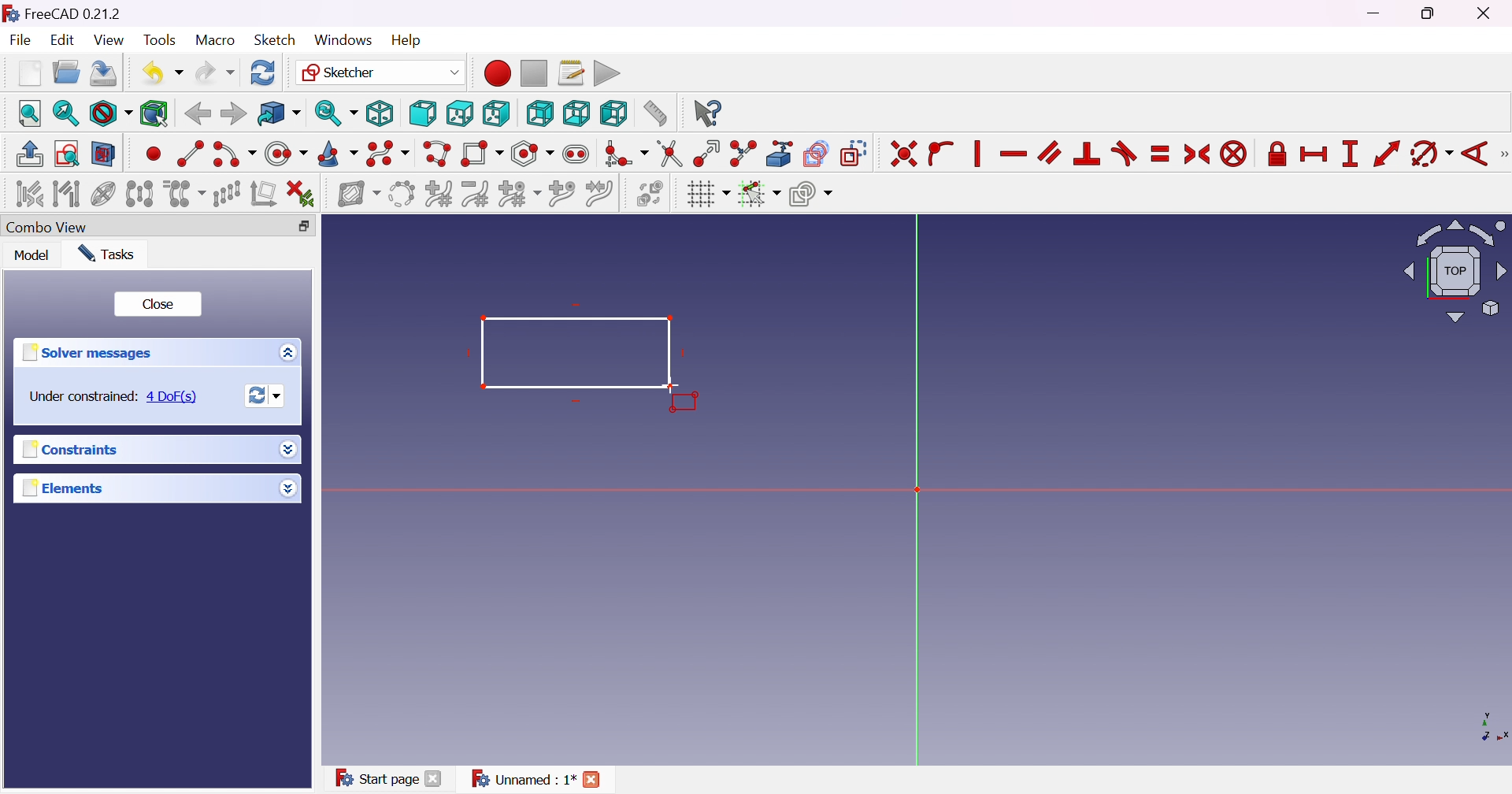 The image size is (1512, 794). Describe the element at coordinates (523, 781) in the screenshot. I see `Unnamed:1*` at that location.